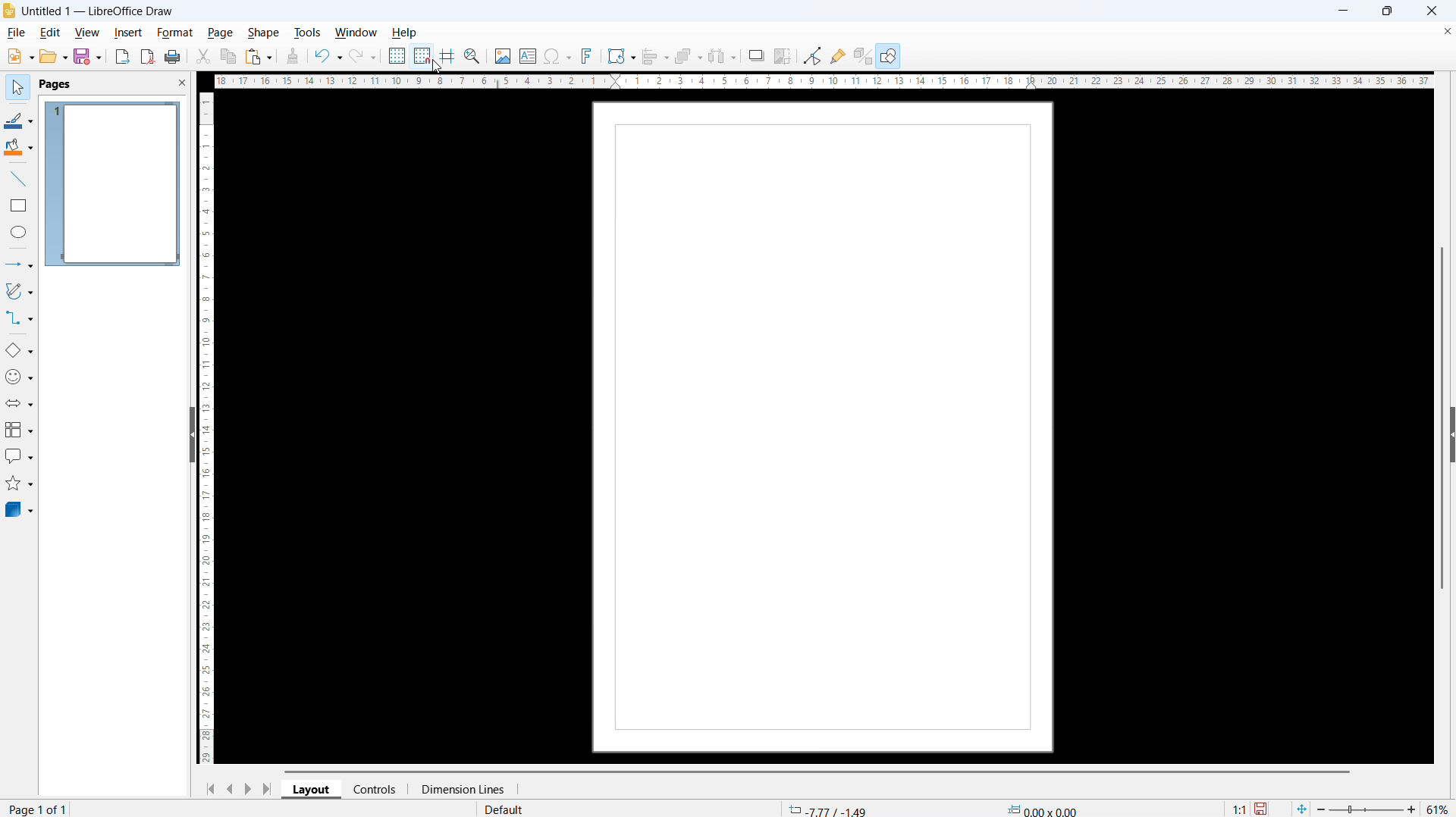 Image resolution: width=1456 pixels, height=817 pixels. What do you see at coordinates (206, 429) in the screenshot?
I see `Vertical ruler ` at bounding box center [206, 429].